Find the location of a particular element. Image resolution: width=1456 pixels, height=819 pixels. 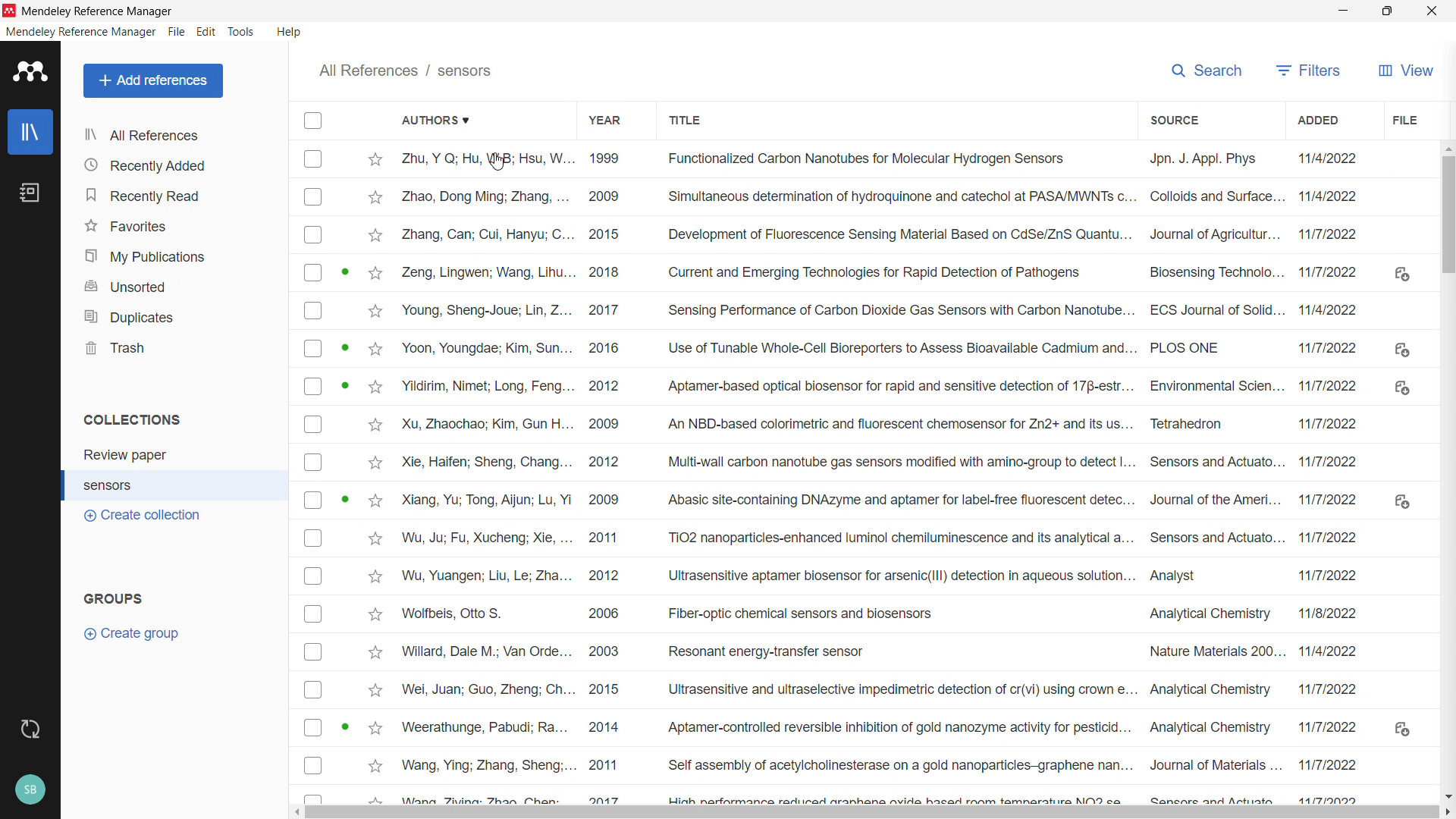

Library  is located at coordinates (30, 132).